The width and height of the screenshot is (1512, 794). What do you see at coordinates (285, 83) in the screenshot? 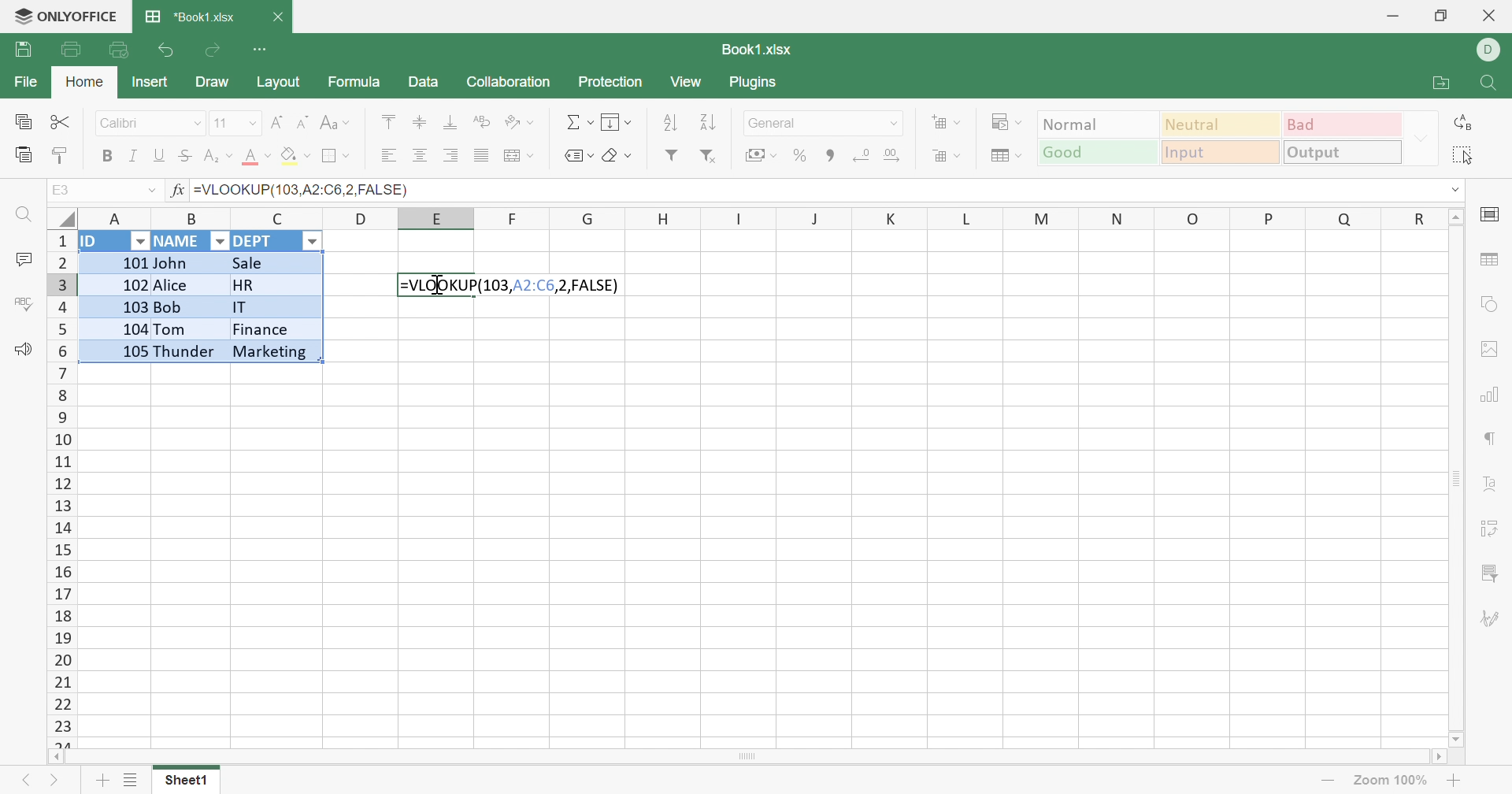
I see `Layout` at bounding box center [285, 83].